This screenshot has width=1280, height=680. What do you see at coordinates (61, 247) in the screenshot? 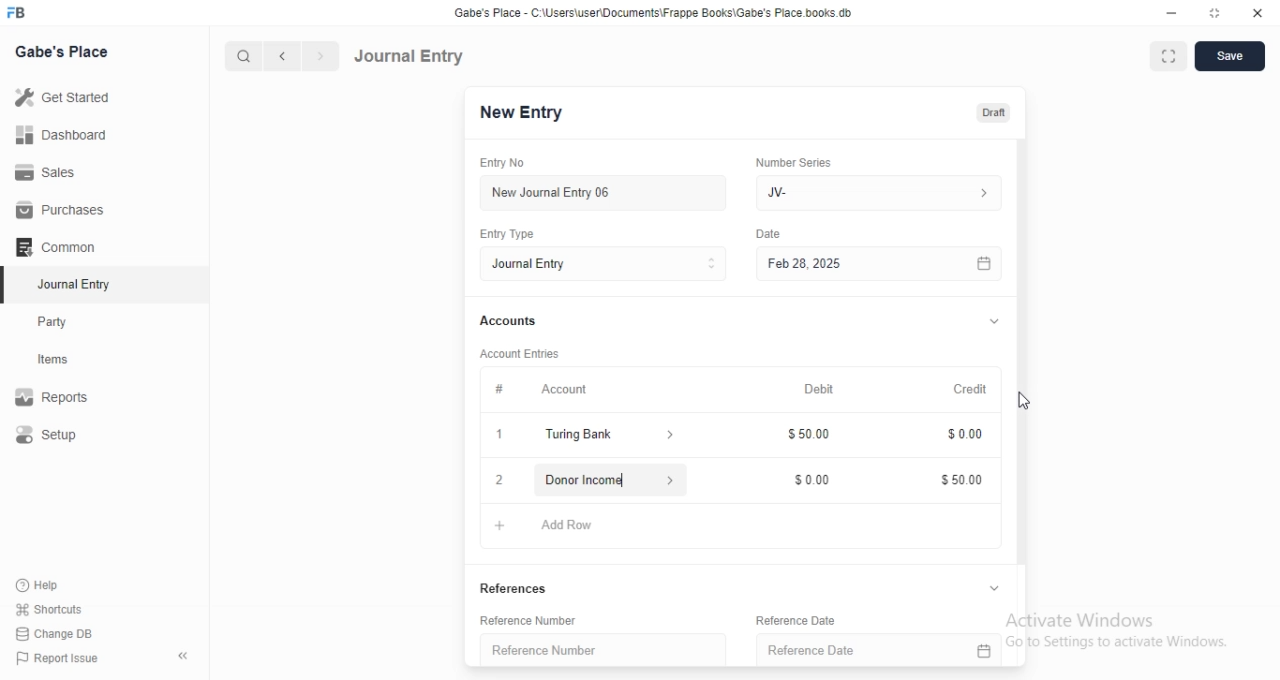
I see `Common` at bounding box center [61, 247].